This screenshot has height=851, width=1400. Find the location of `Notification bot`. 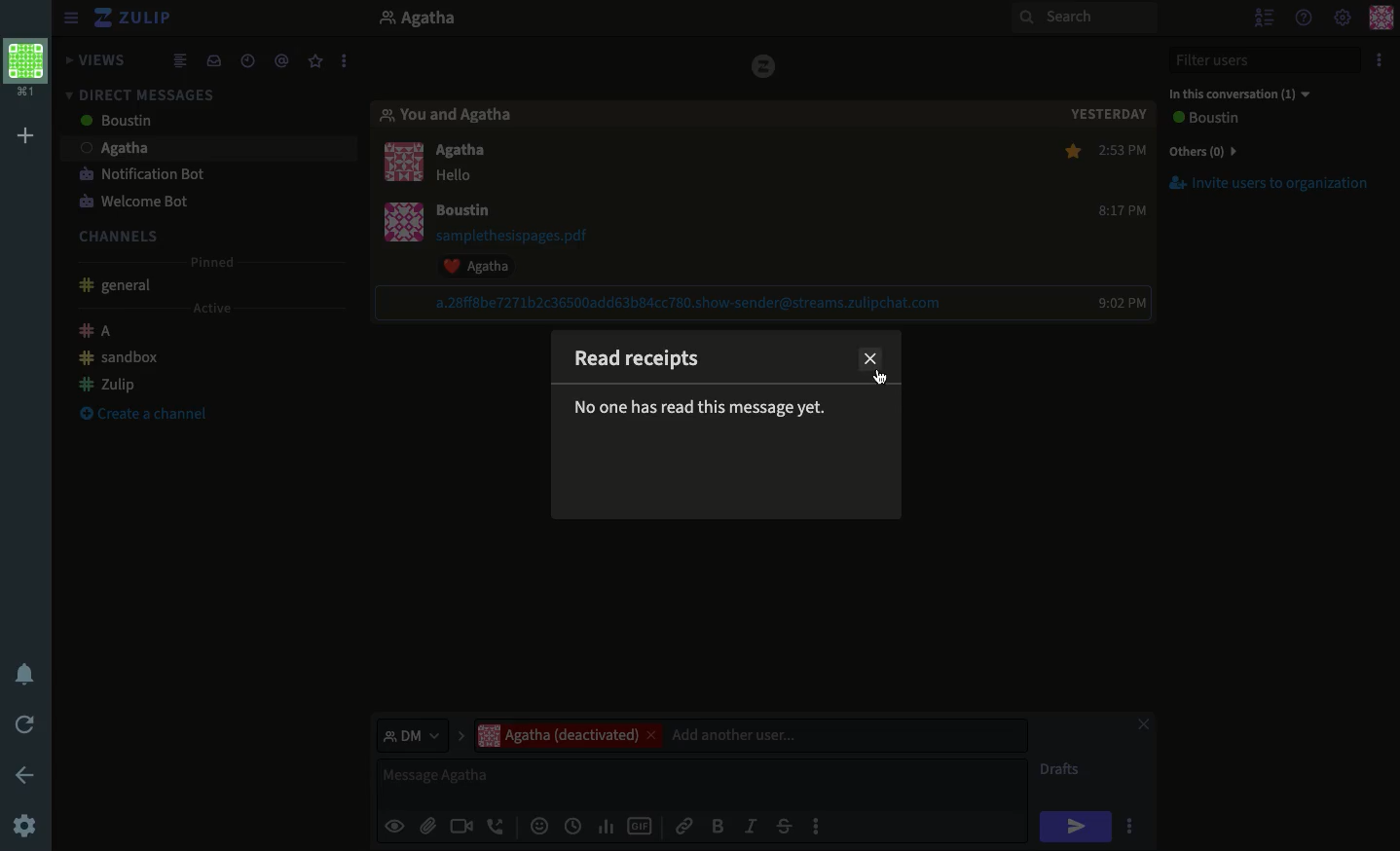

Notification bot is located at coordinates (142, 176).